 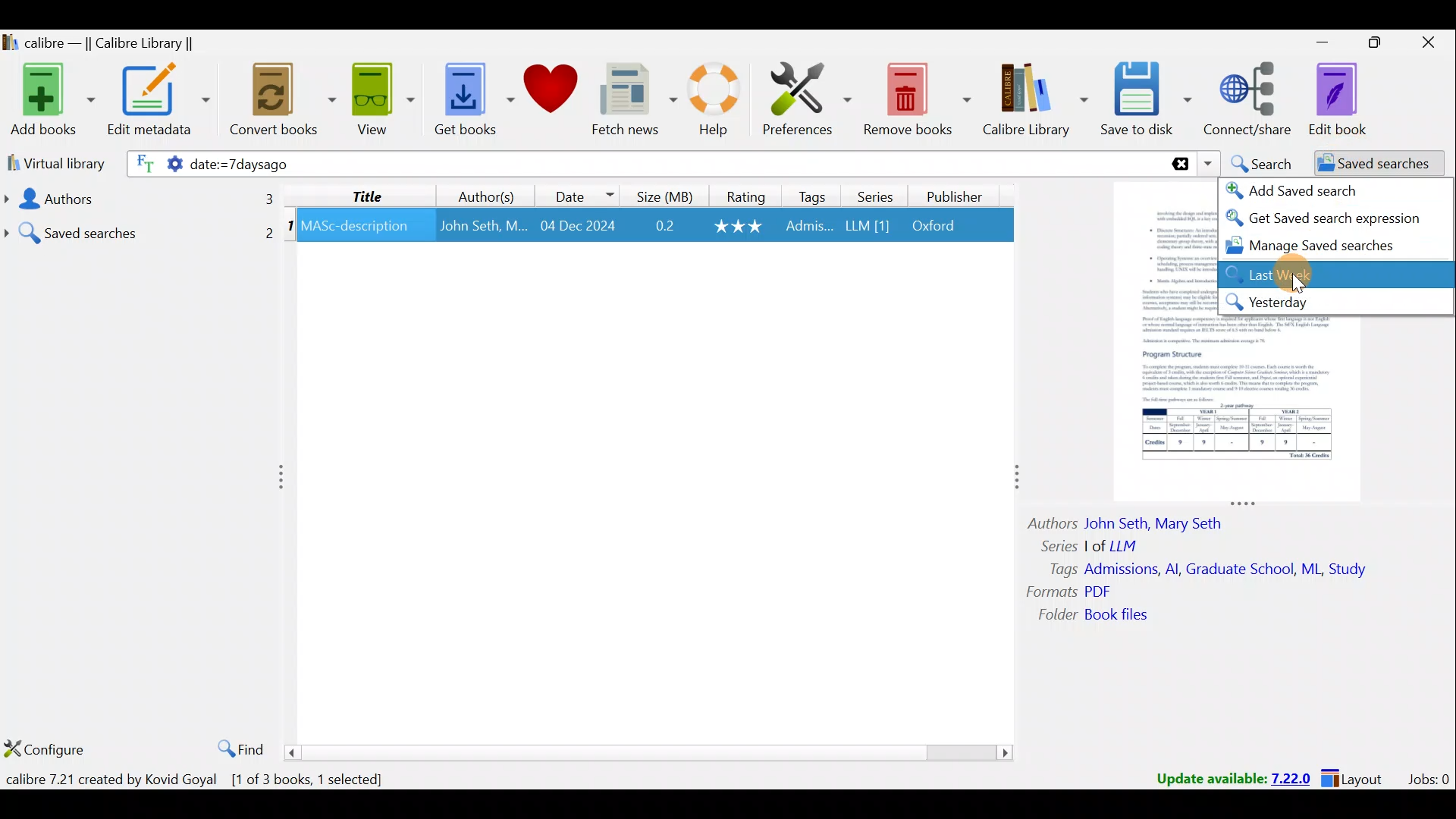 I want to click on Preferences, so click(x=809, y=96).